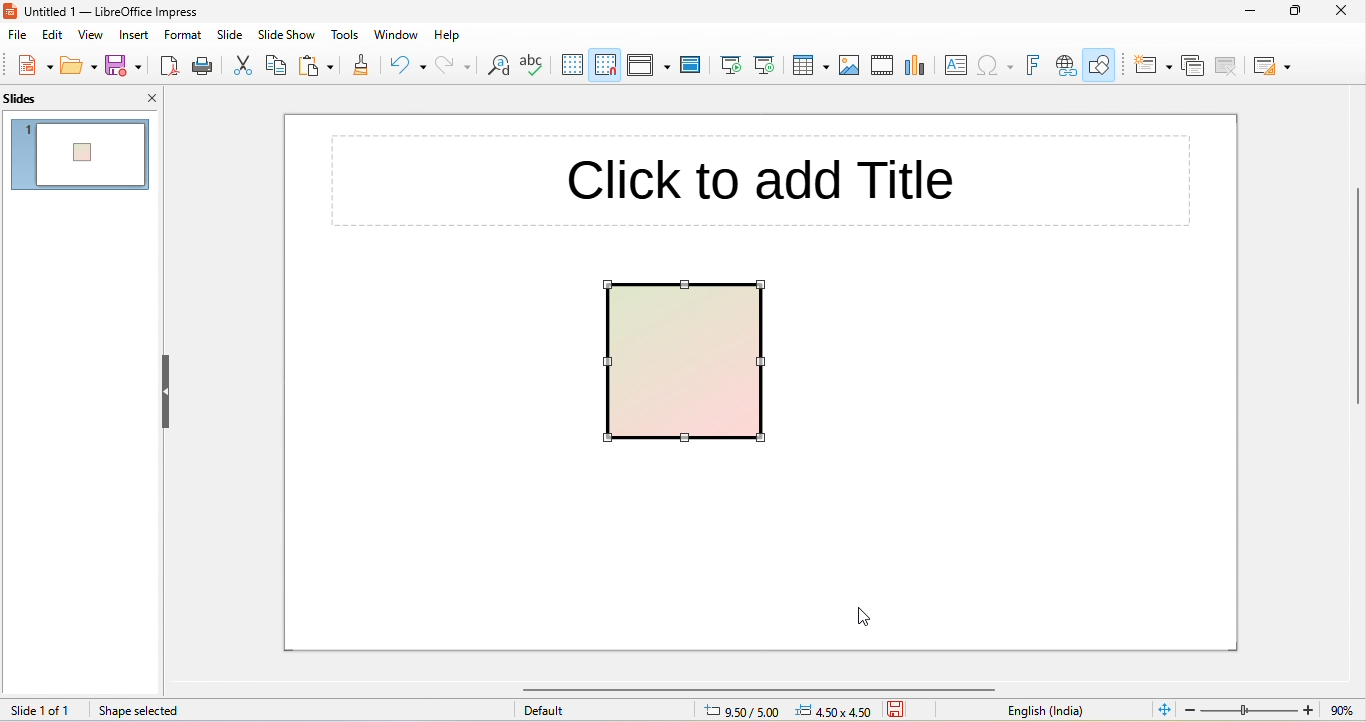  I want to click on vertical scroll, so click(1346, 312).